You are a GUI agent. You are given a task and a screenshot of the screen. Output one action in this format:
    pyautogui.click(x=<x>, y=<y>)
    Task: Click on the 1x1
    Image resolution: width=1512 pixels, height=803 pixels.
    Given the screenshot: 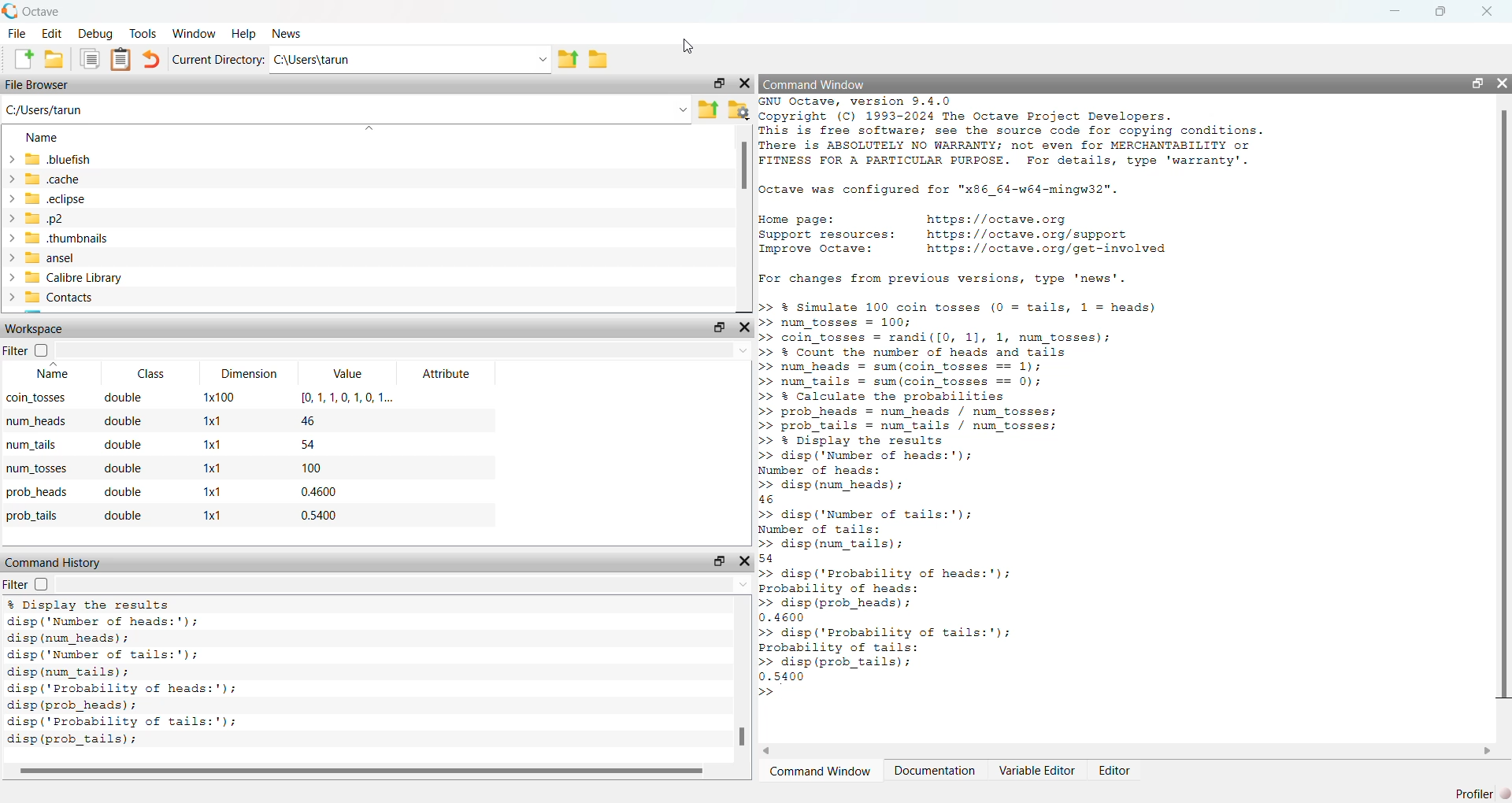 What is the action you would take?
    pyautogui.click(x=211, y=444)
    